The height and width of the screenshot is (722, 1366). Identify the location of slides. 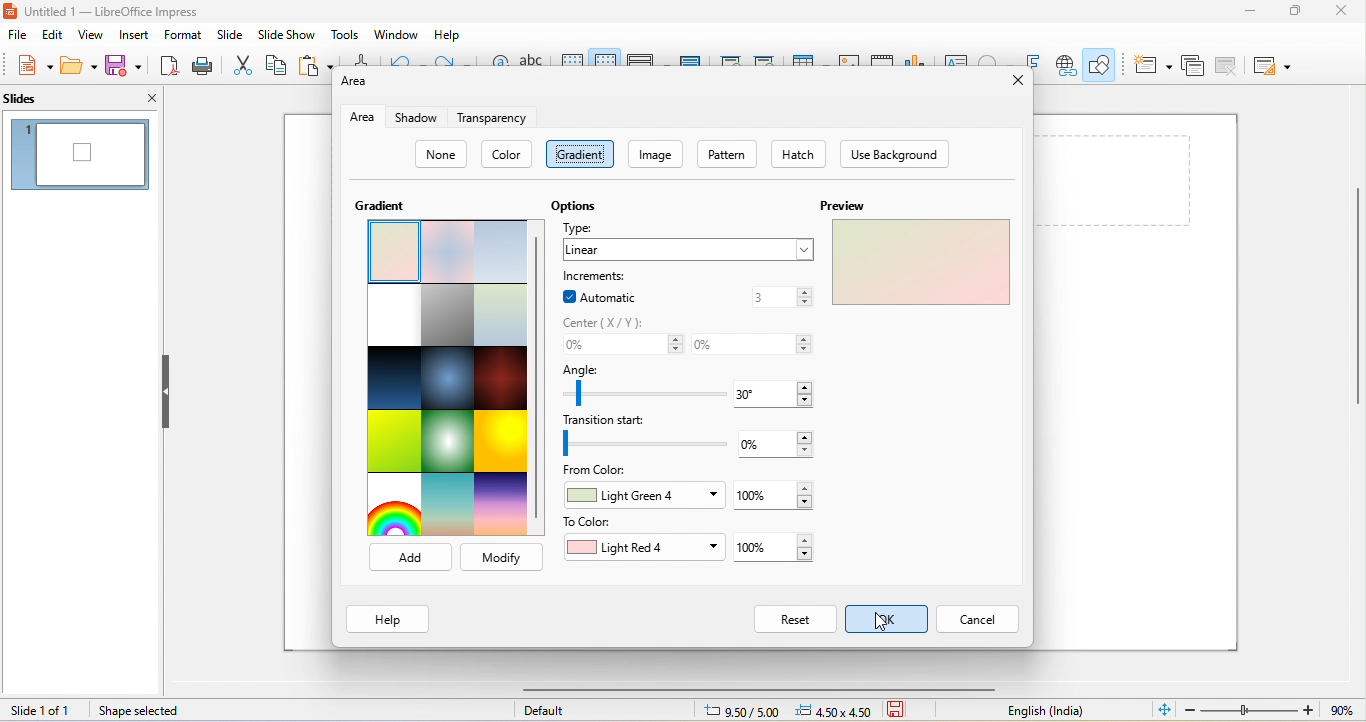
(50, 97).